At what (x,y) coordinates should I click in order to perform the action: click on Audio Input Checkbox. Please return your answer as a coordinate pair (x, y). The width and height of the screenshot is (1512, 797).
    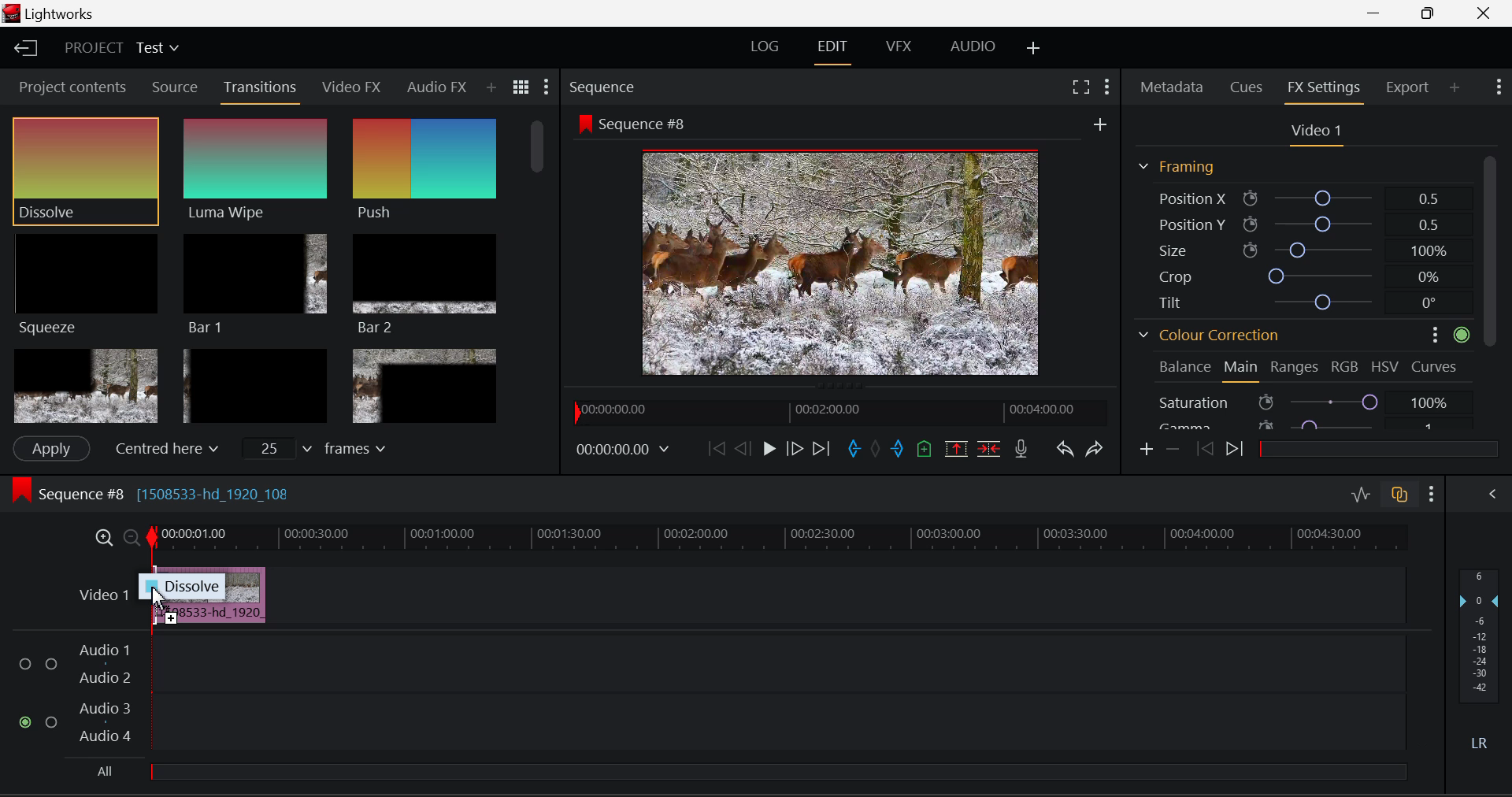
    Looking at the image, I should click on (51, 662).